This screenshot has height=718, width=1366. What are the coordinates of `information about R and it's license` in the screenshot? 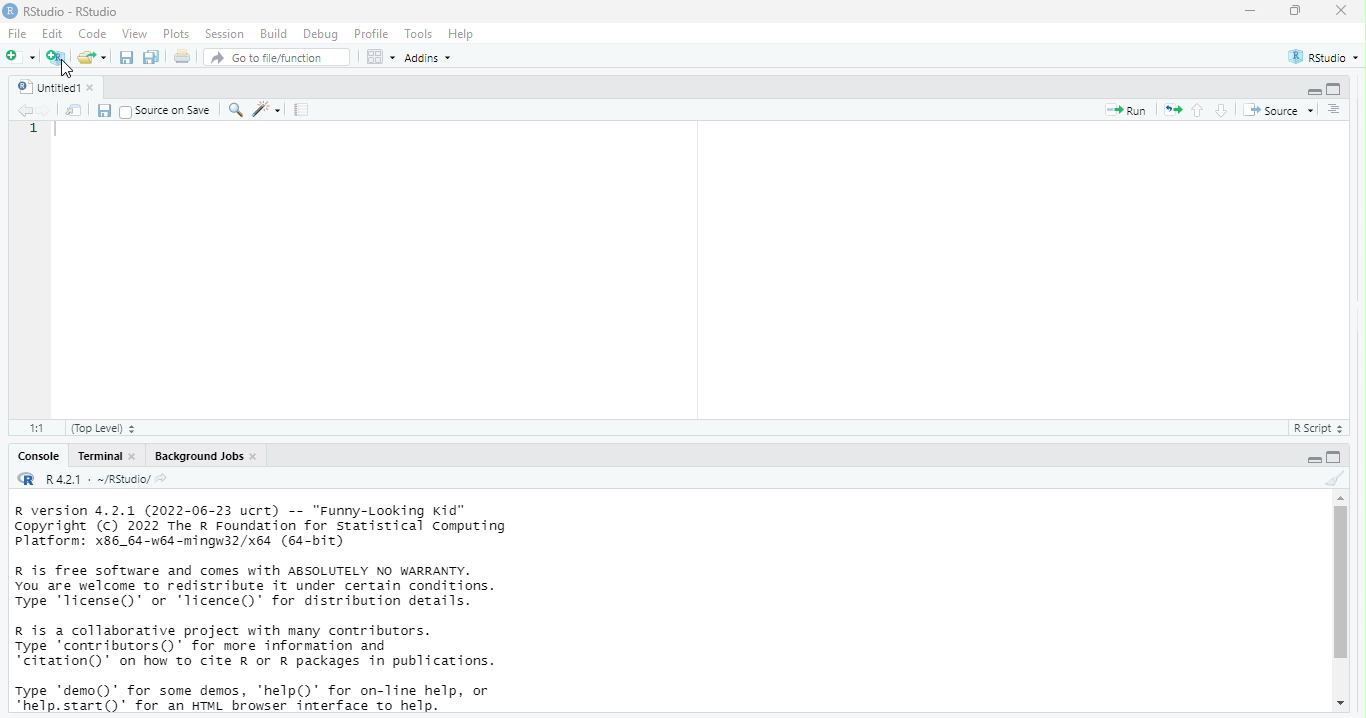 It's located at (264, 587).